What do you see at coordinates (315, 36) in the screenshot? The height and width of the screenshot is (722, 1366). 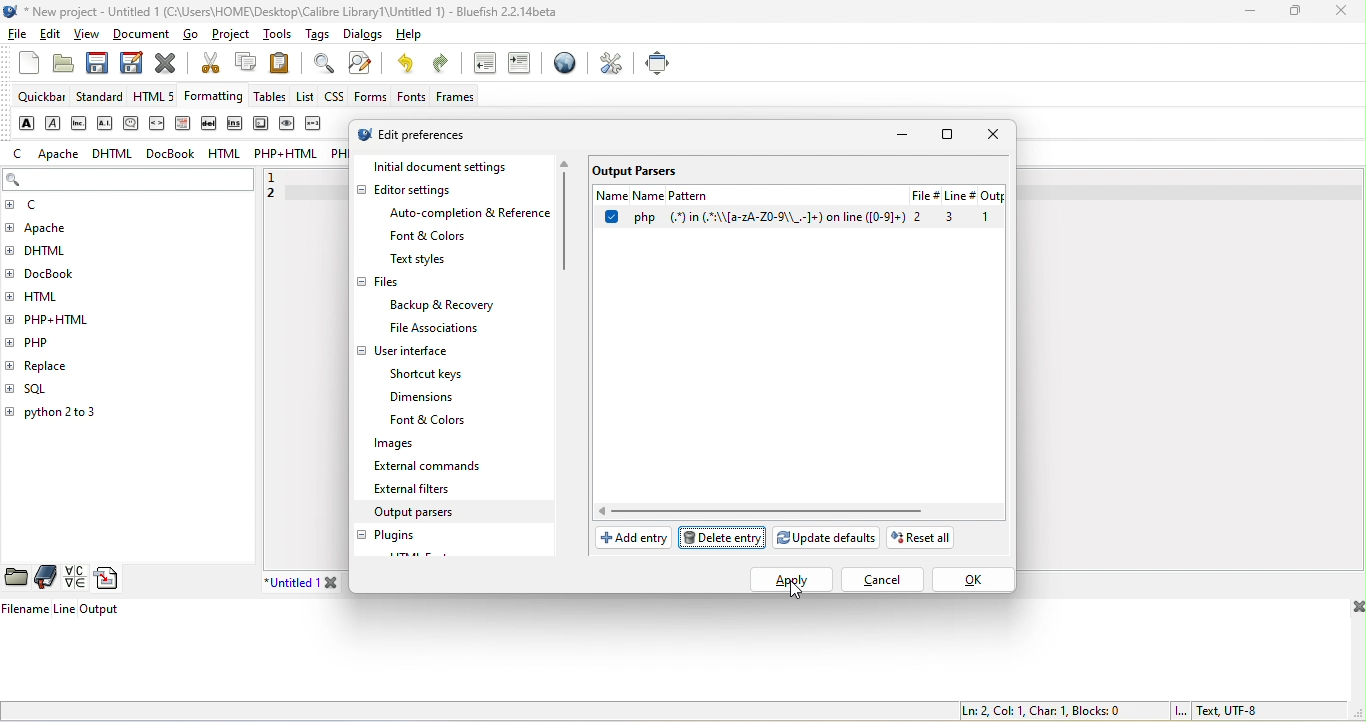 I see `tags` at bounding box center [315, 36].